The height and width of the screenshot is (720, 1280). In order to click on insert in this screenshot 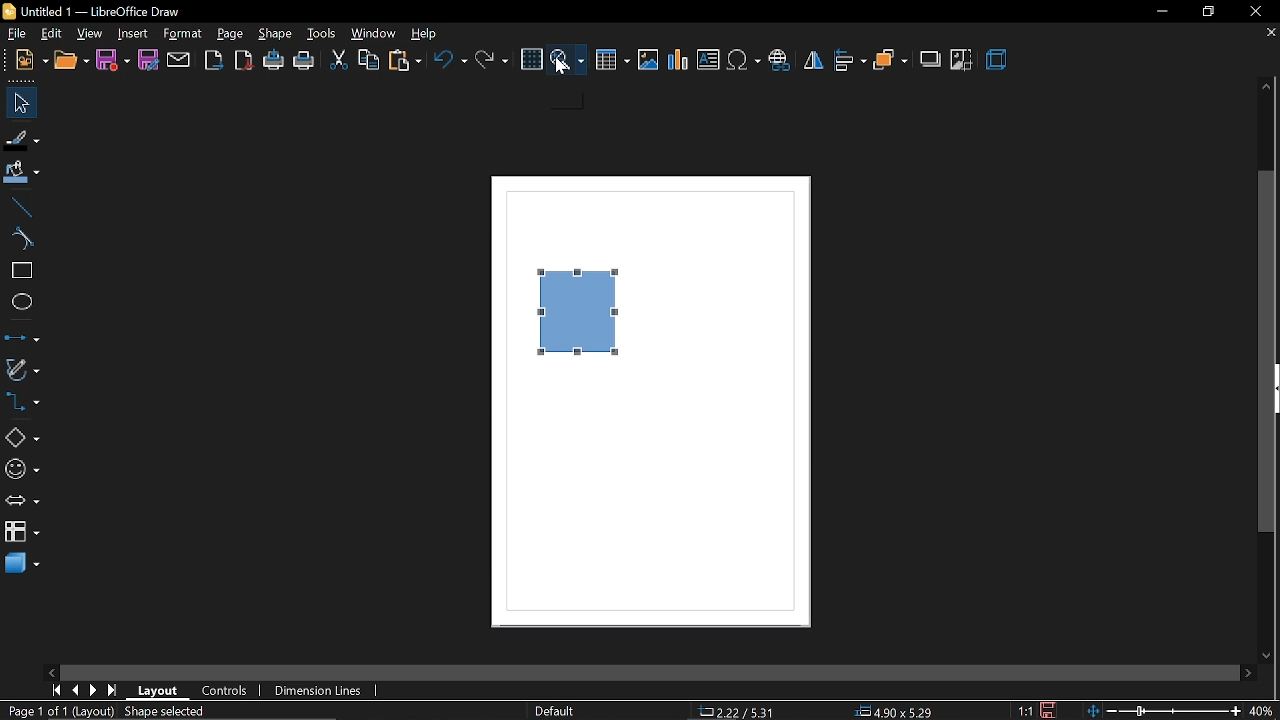, I will do `click(134, 33)`.